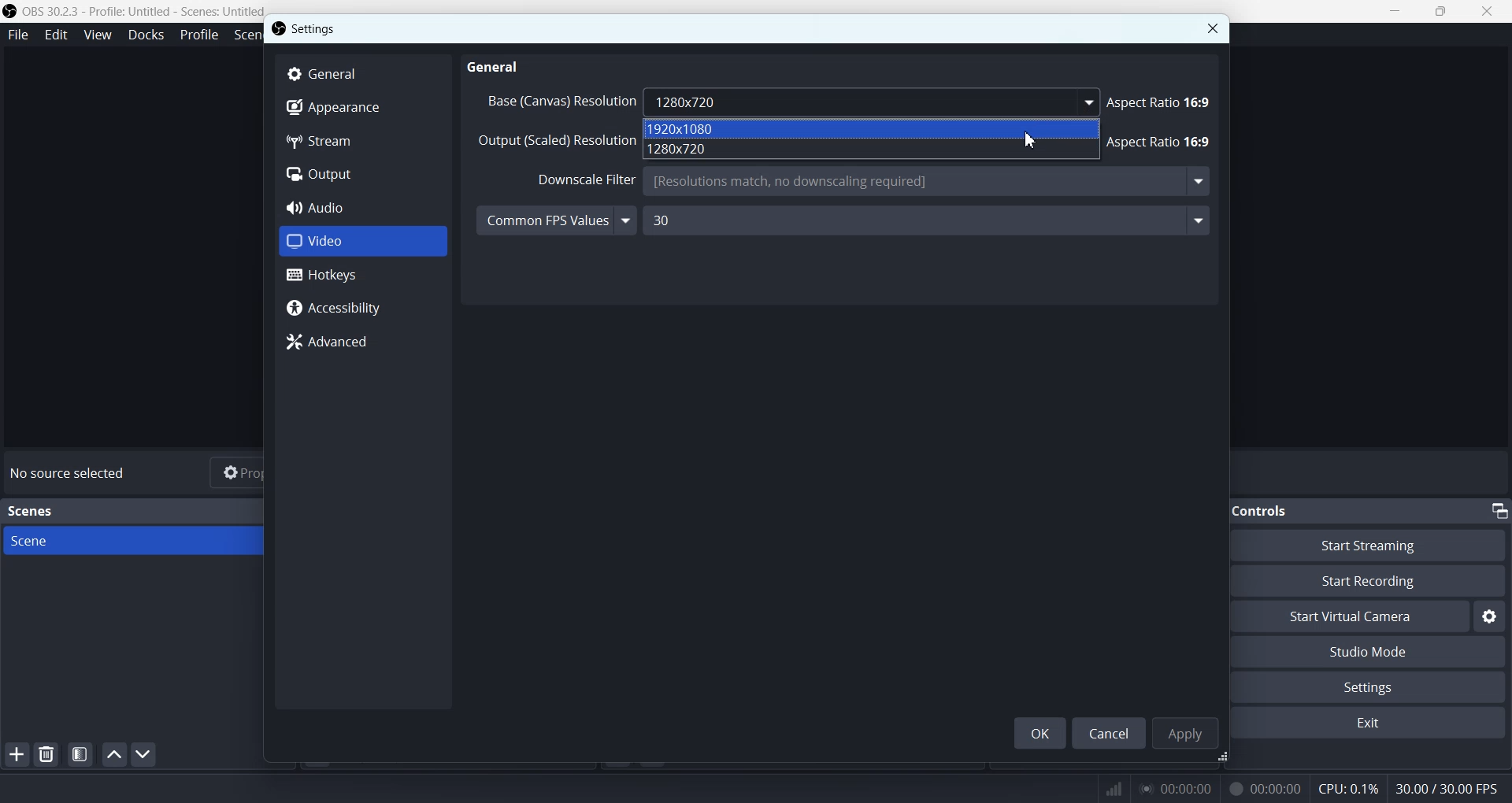 This screenshot has height=803, width=1512. I want to click on Text, so click(1272, 510).